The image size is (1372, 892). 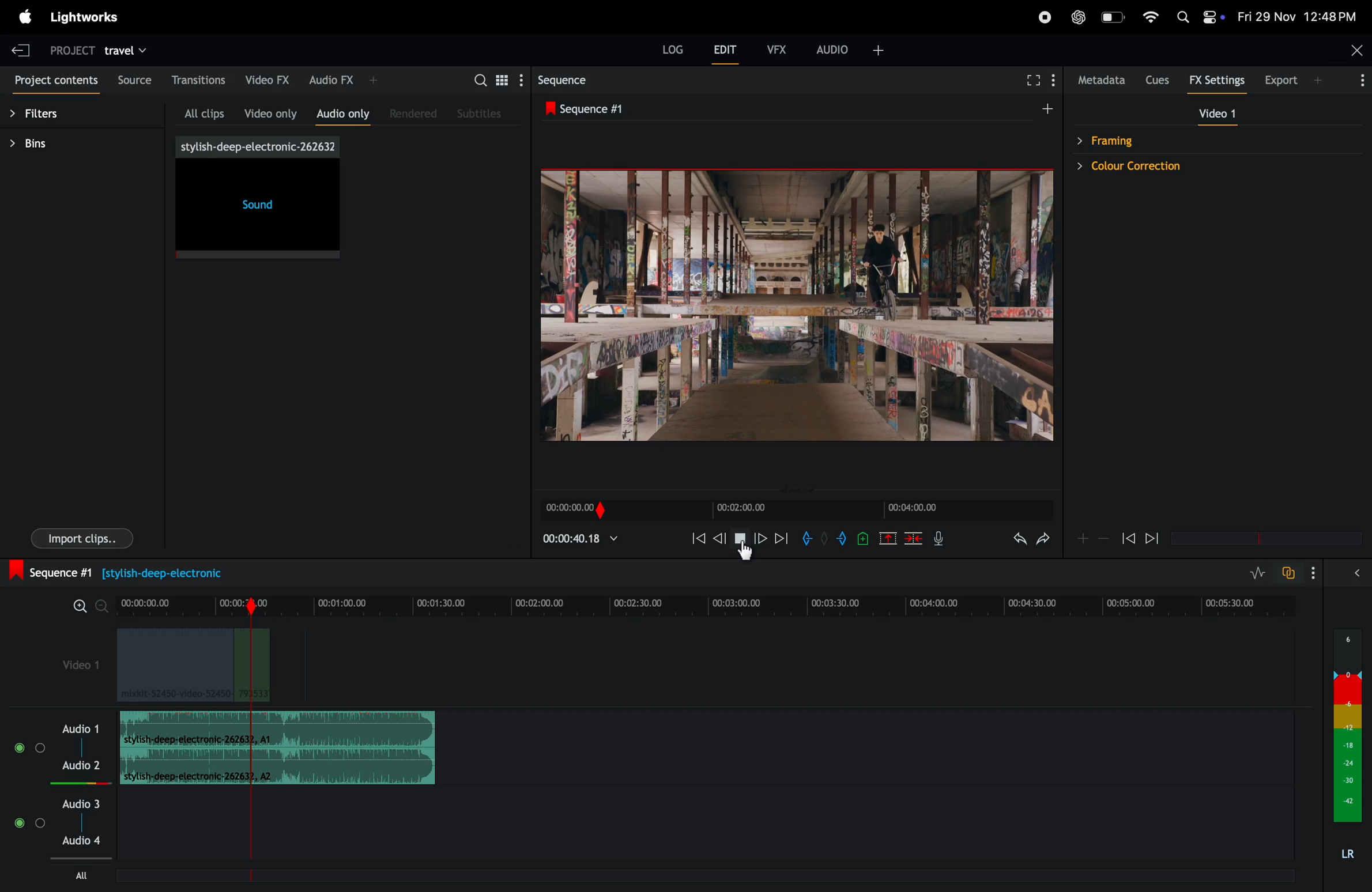 What do you see at coordinates (1294, 79) in the screenshot?
I see `export` at bounding box center [1294, 79].